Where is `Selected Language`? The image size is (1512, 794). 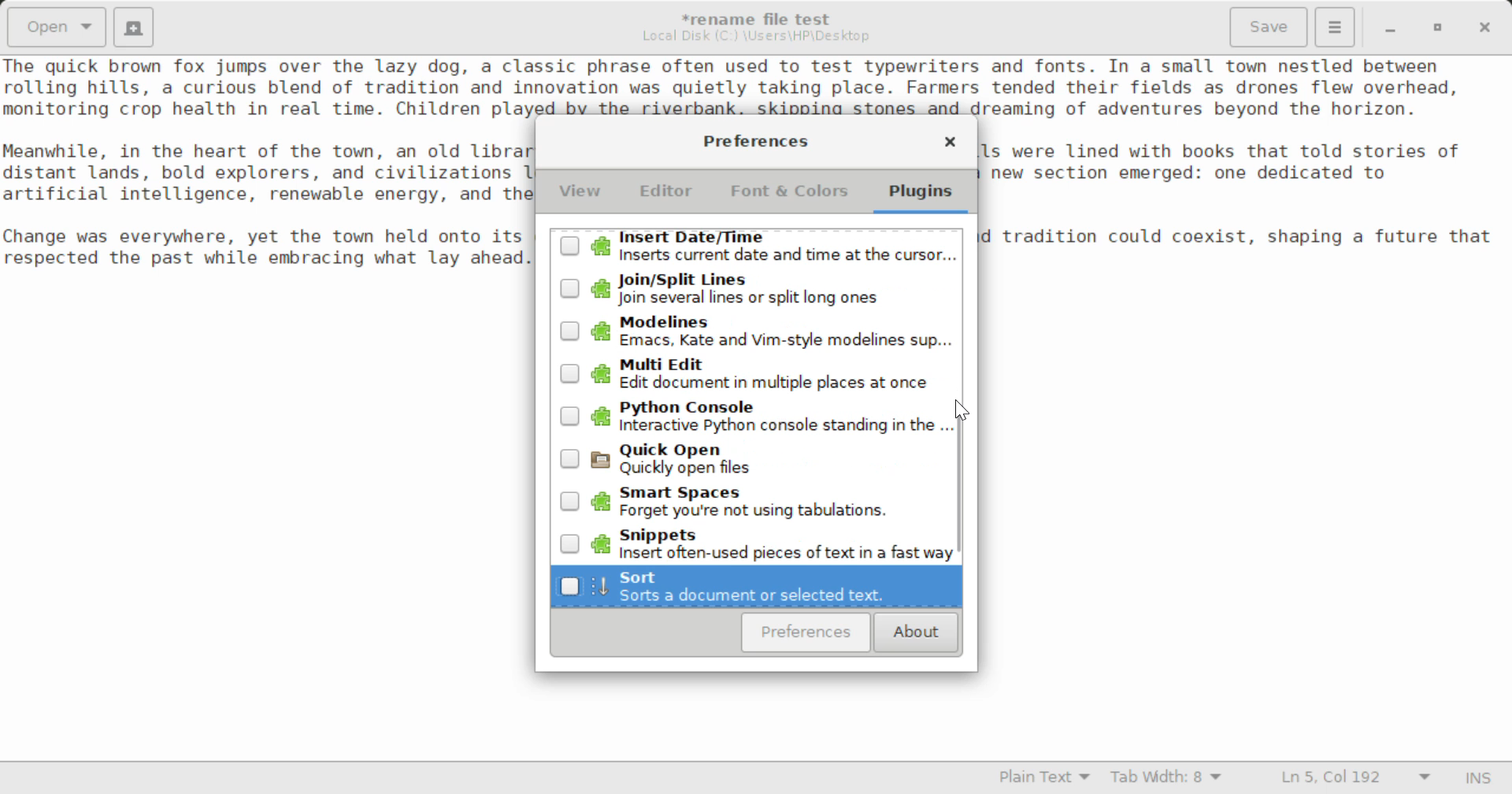
Selected Language is located at coordinates (1045, 779).